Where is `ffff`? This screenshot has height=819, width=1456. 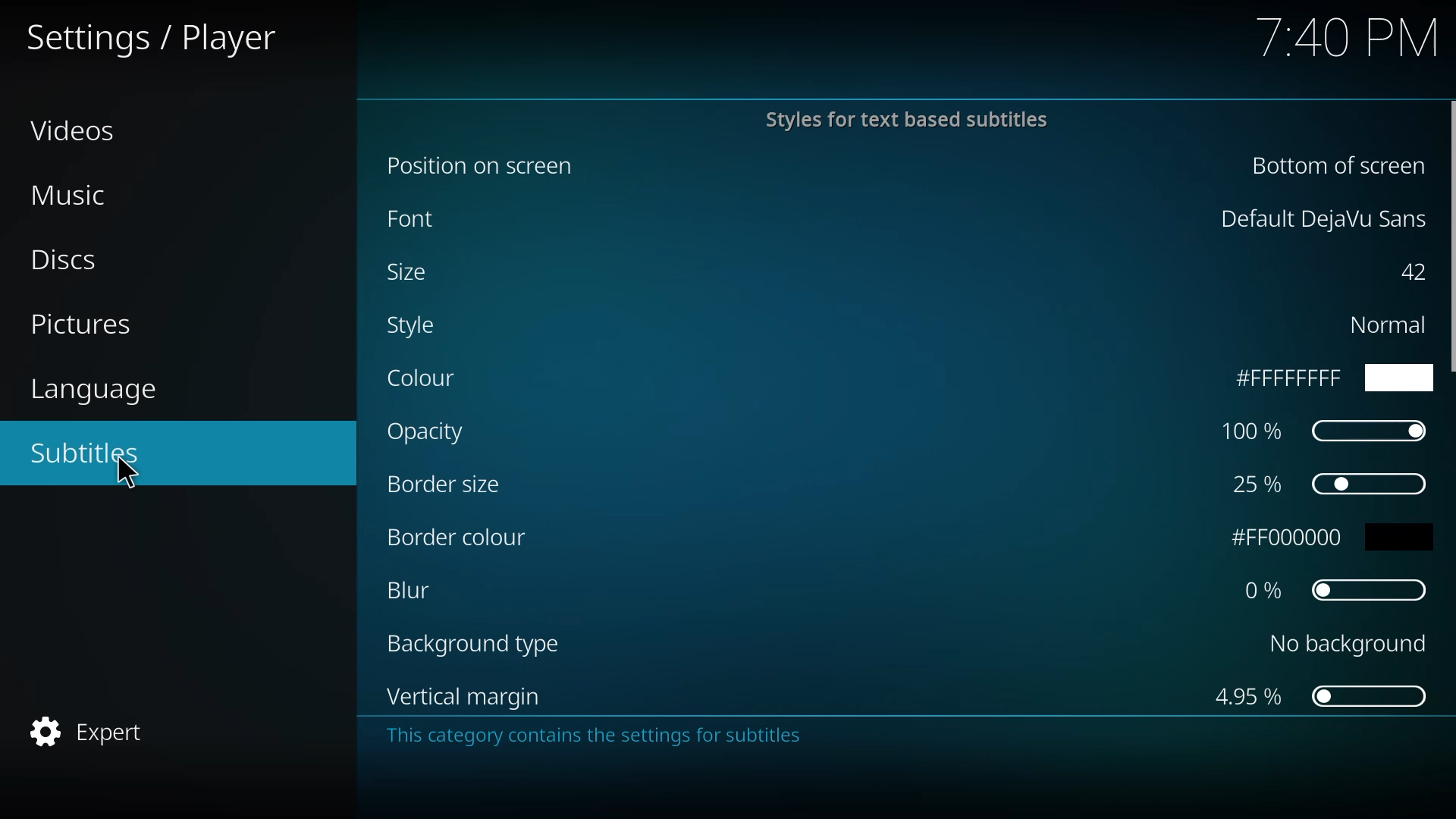
ffff is located at coordinates (1324, 378).